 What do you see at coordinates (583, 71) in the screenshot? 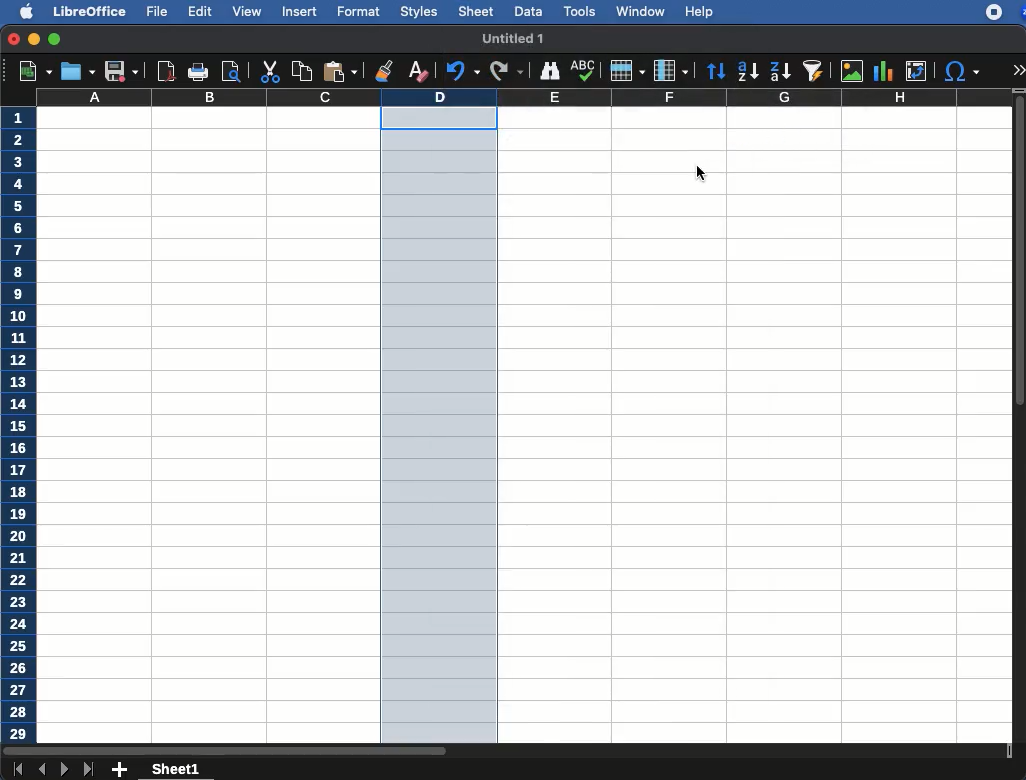
I see `spell check` at bounding box center [583, 71].